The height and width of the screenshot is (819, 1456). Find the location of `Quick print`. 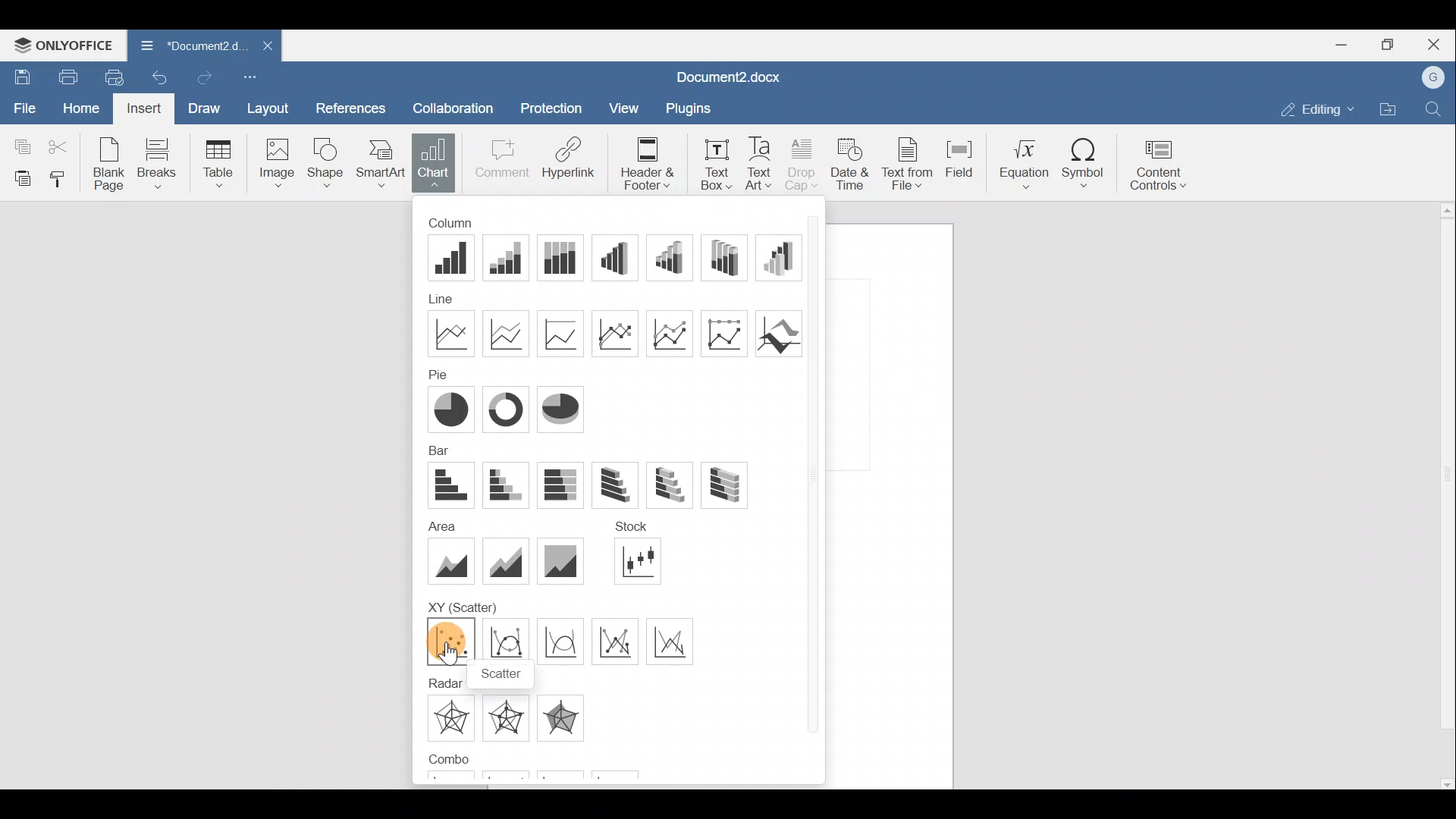

Quick print is located at coordinates (115, 77).